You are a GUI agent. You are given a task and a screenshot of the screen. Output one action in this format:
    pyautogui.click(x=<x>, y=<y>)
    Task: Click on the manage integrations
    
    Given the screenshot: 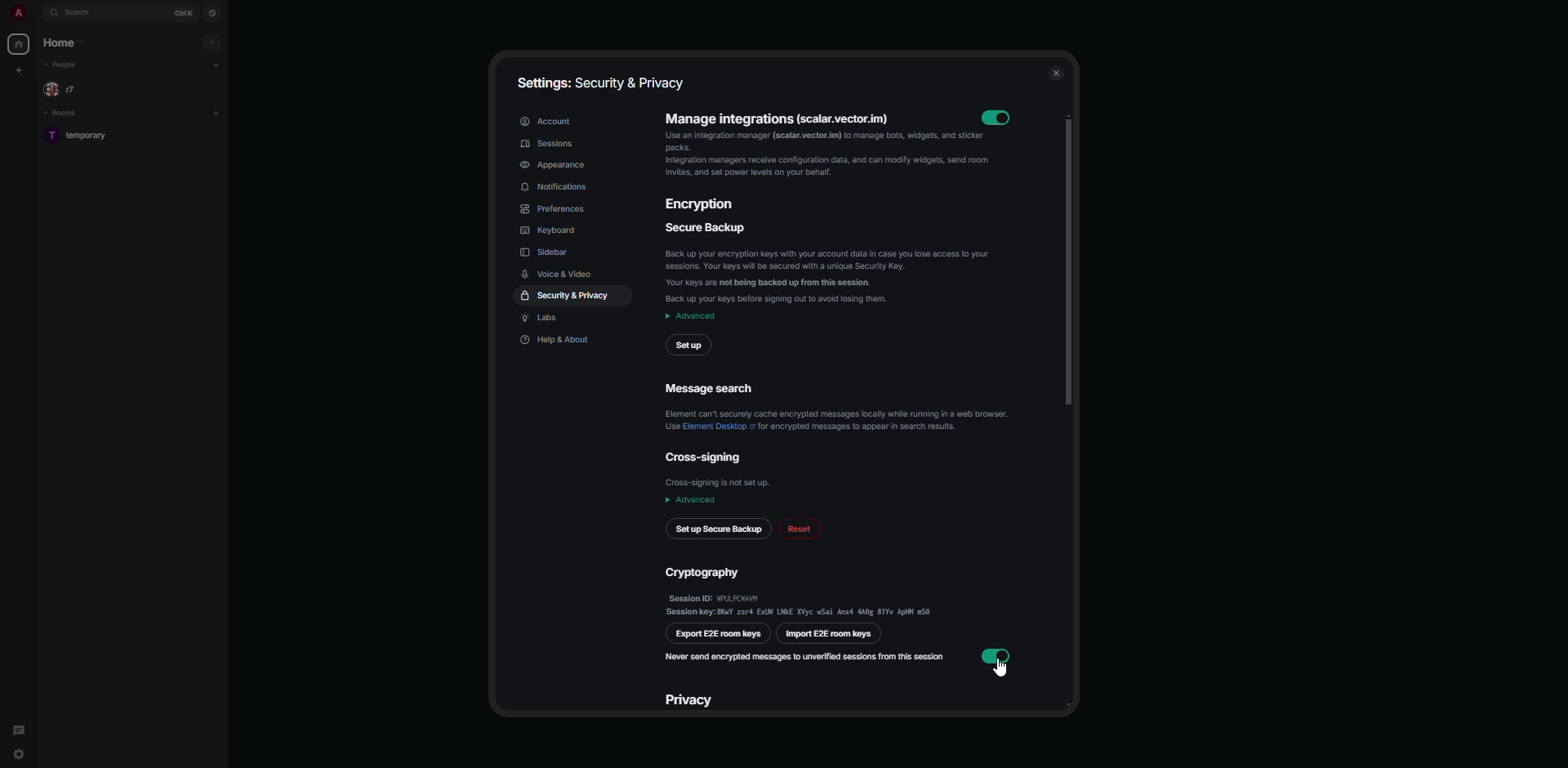 What is the action you would take?
    pyautogui.click(x=819, y=146)
    